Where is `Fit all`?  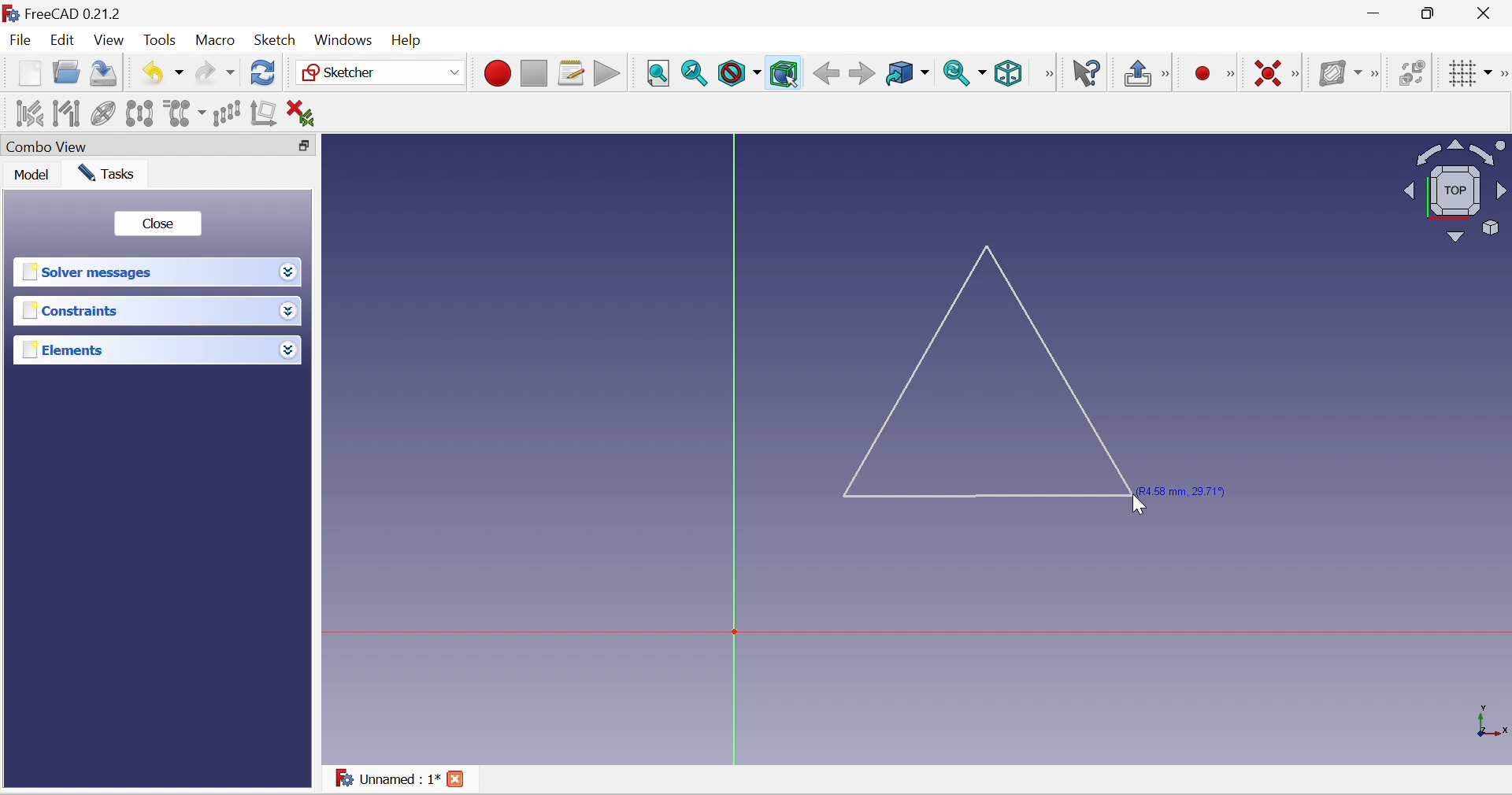 Fit all is located at coordinates (659, 75).